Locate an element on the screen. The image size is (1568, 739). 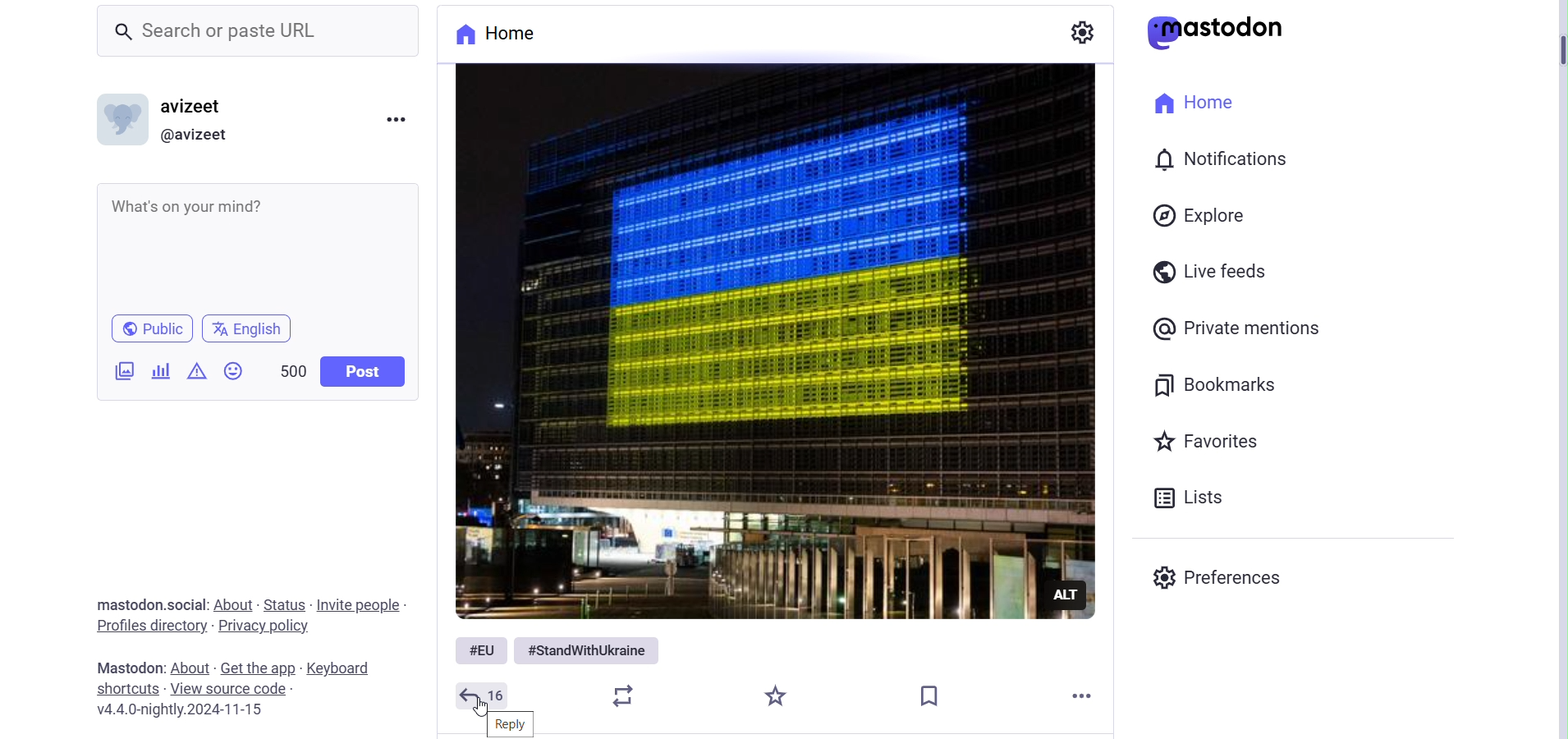
About is located at coordinates (193, 668).